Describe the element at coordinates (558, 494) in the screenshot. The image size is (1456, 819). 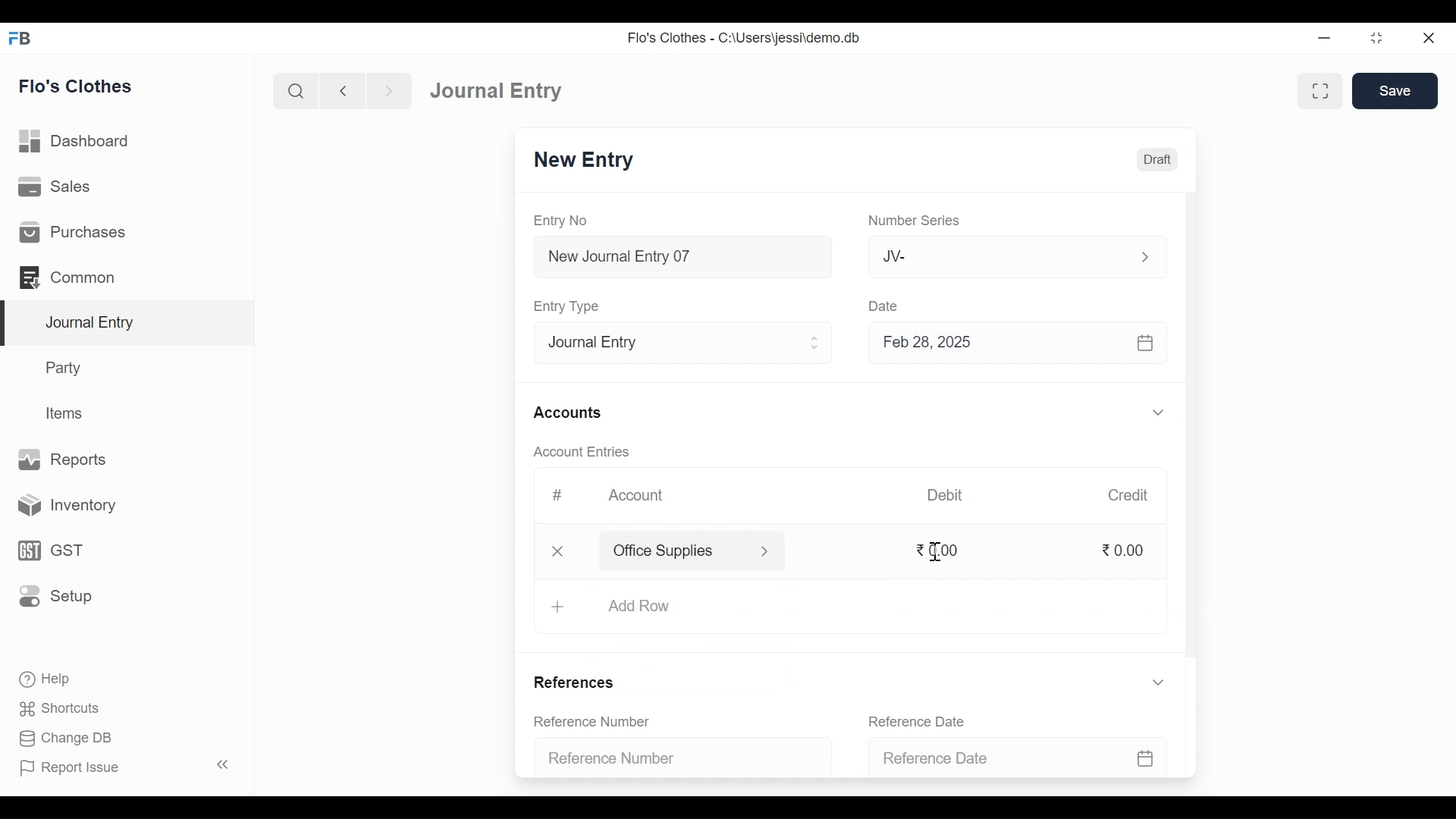
I see `#` at that location.